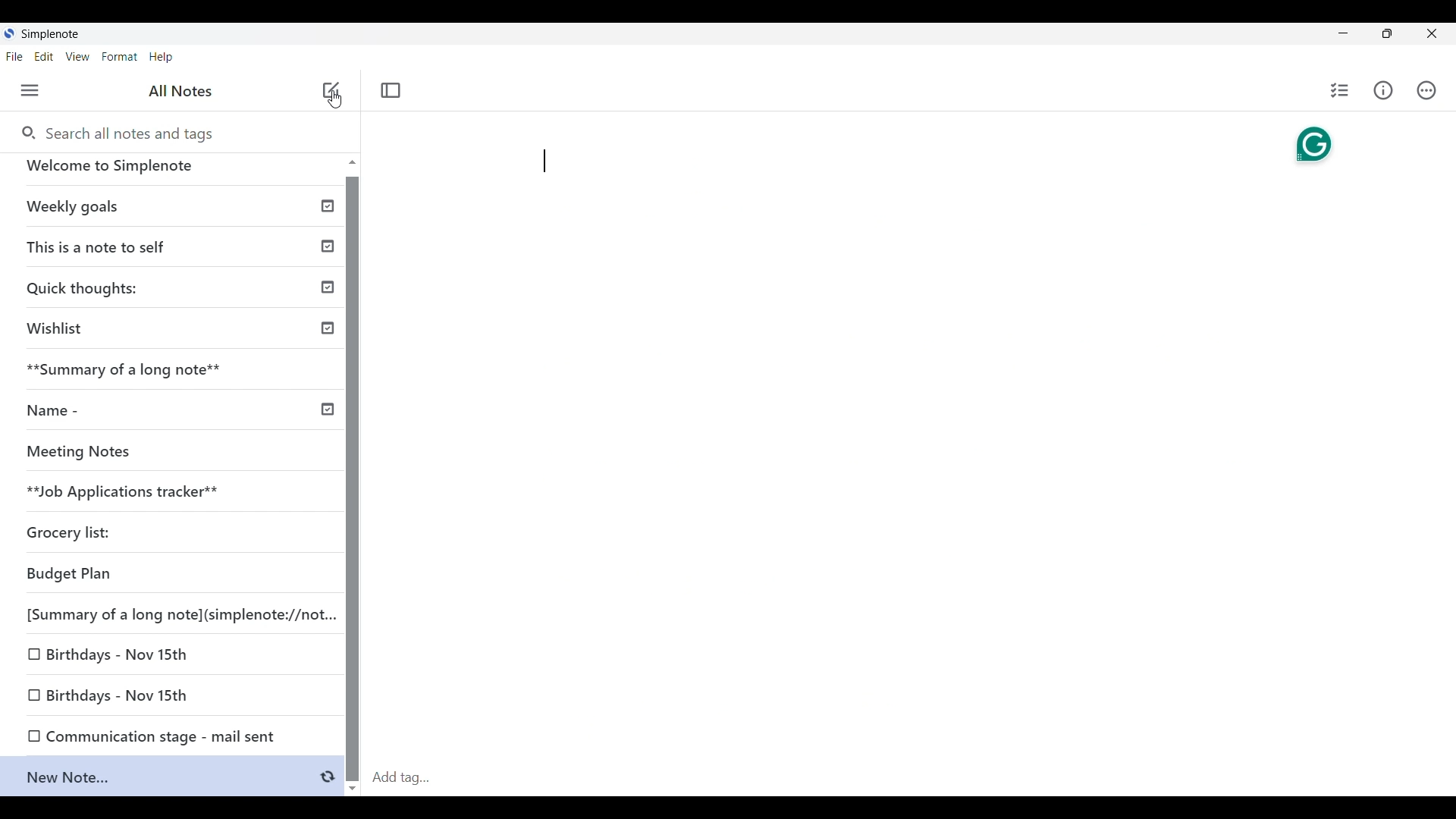 This screenshot has width=1456, height=819. I want to click on File menu, so click(14, 56).